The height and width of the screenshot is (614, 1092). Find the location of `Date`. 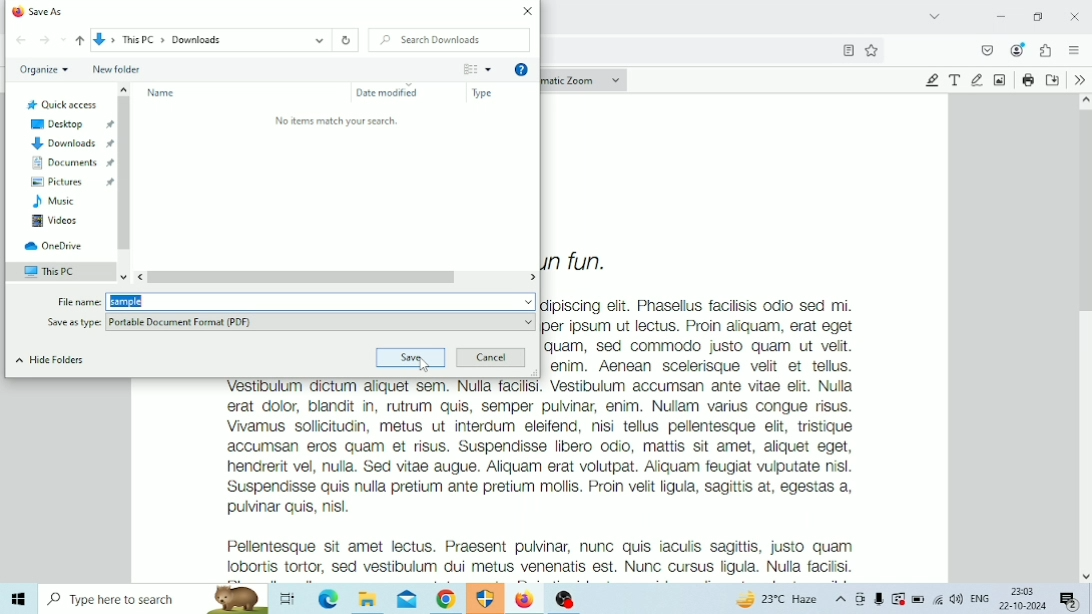

Date is located at coordinates (1022, 606).